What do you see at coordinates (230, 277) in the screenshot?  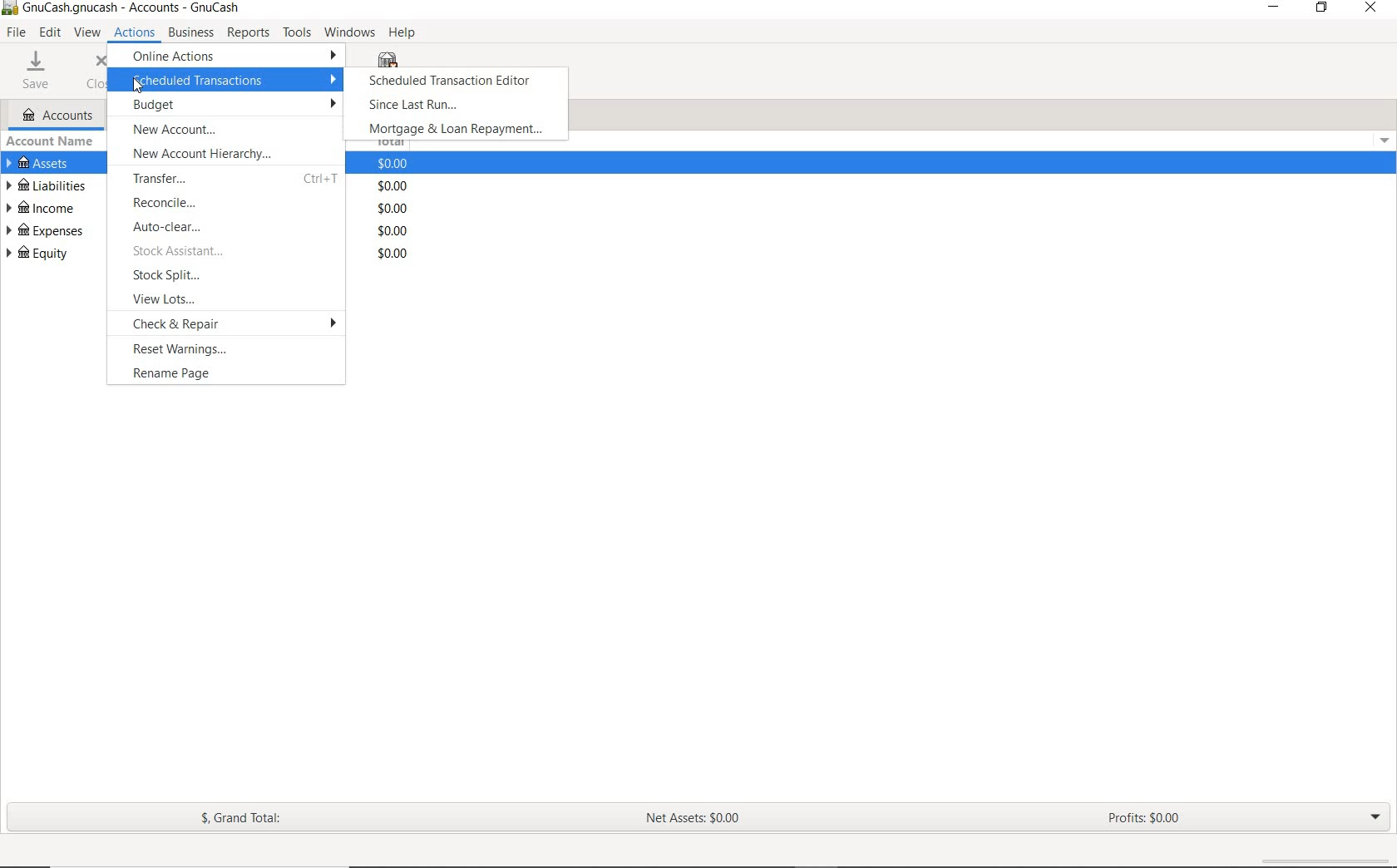 I see `STOCK SPLIT` at bounding box center [230, 277].